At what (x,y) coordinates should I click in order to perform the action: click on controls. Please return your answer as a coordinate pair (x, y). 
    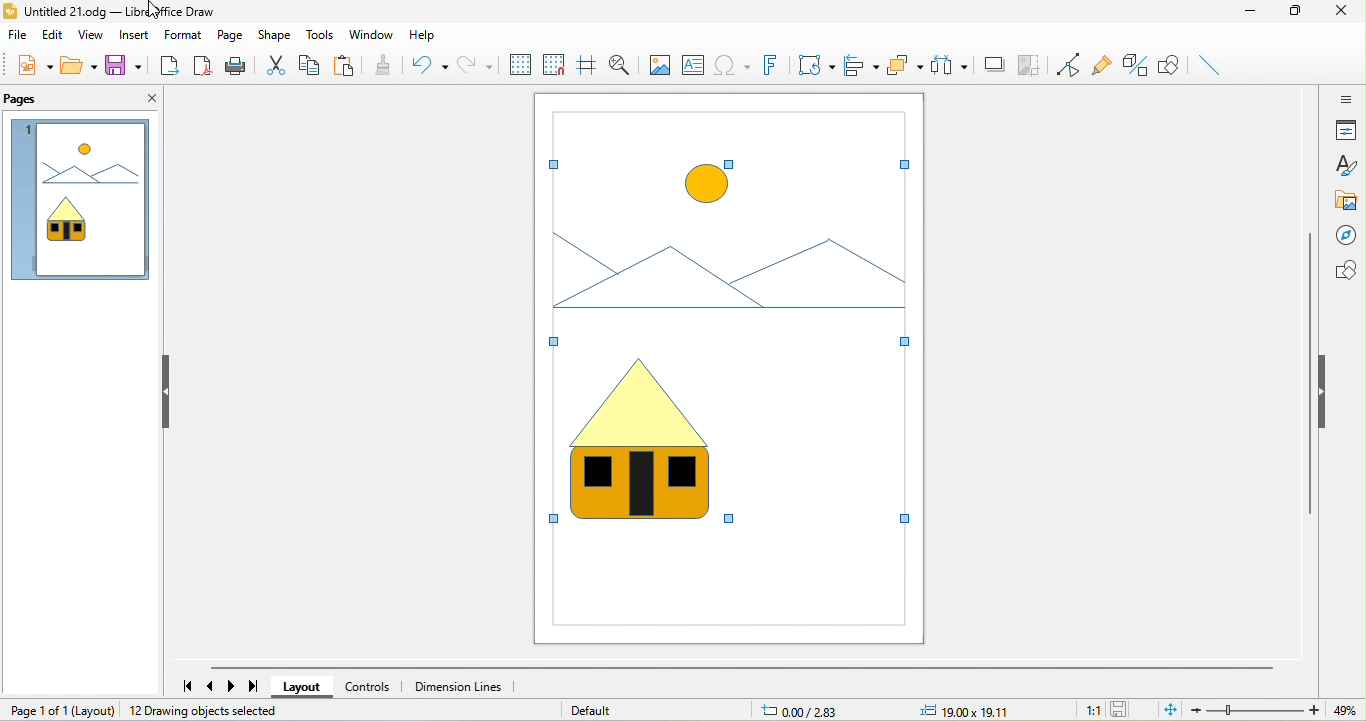
    Looking at the image, I should click on (368, 686).